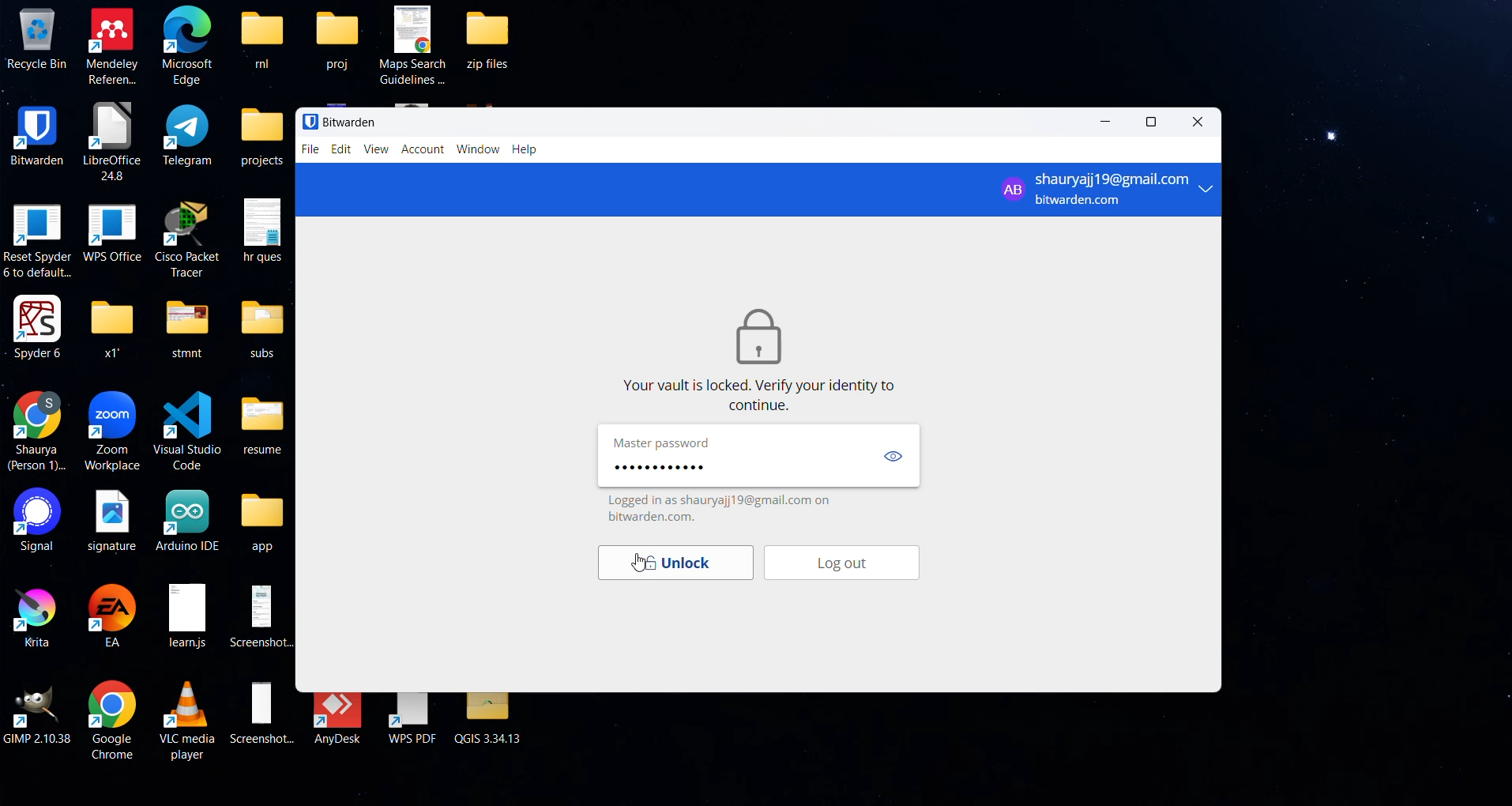 Image resolution: width=1512 pixels, height=806 pixels. What do you see at coordinates (415, 43) in the screenshot?
I see `Maps Search Guidelines ...` at bounding box center [415, 43].